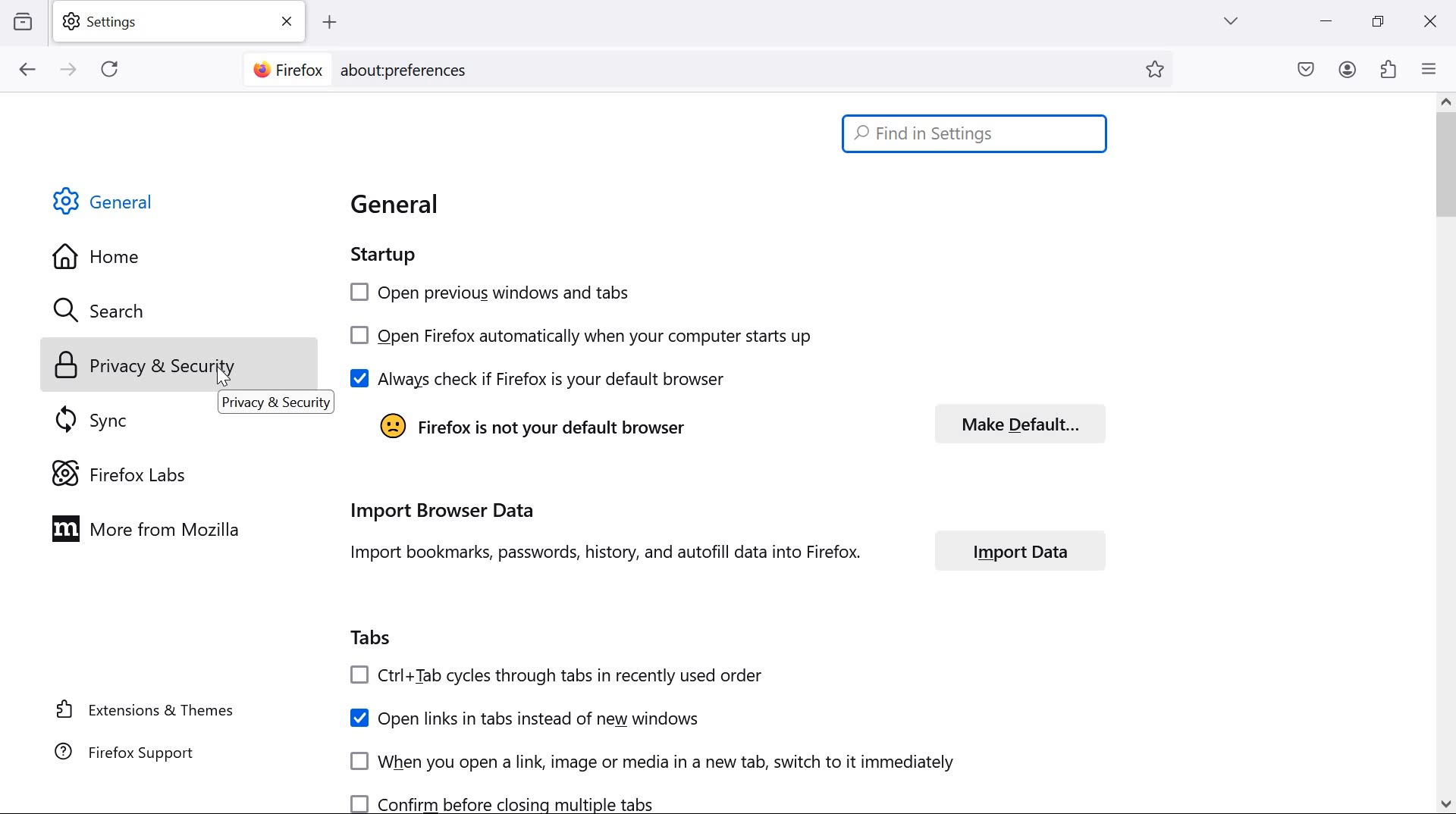 Image resolution: width=1456 pixels, height=814 pixels. What do you see at coordinates (1379, 20) in the screenshot?
I see `restore down` at bounding box center [1379, 20].